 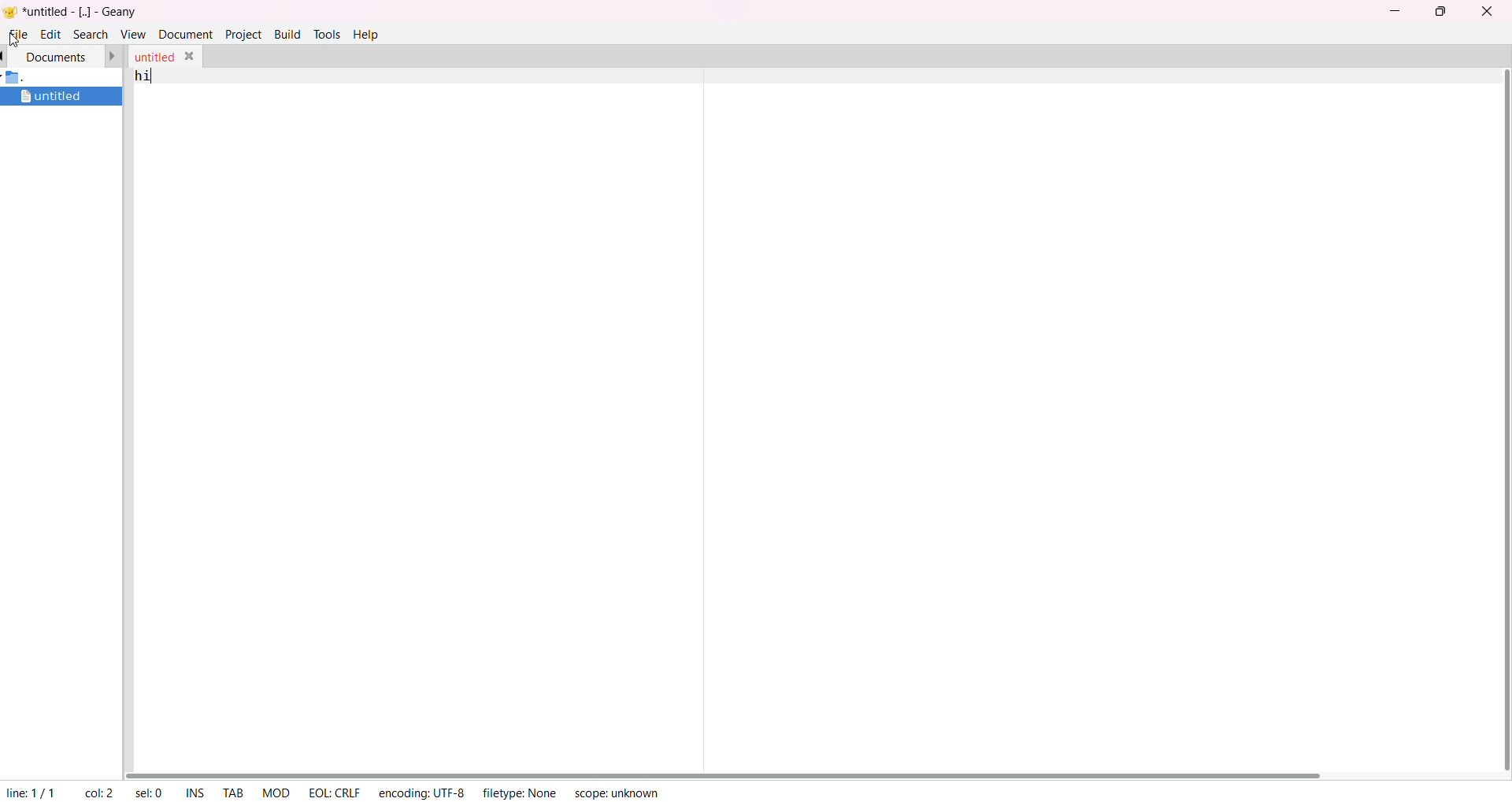 What do you see at coordinates (704, 410) in the screenshot?
I see `seperator` at bounding box center [704, 410].